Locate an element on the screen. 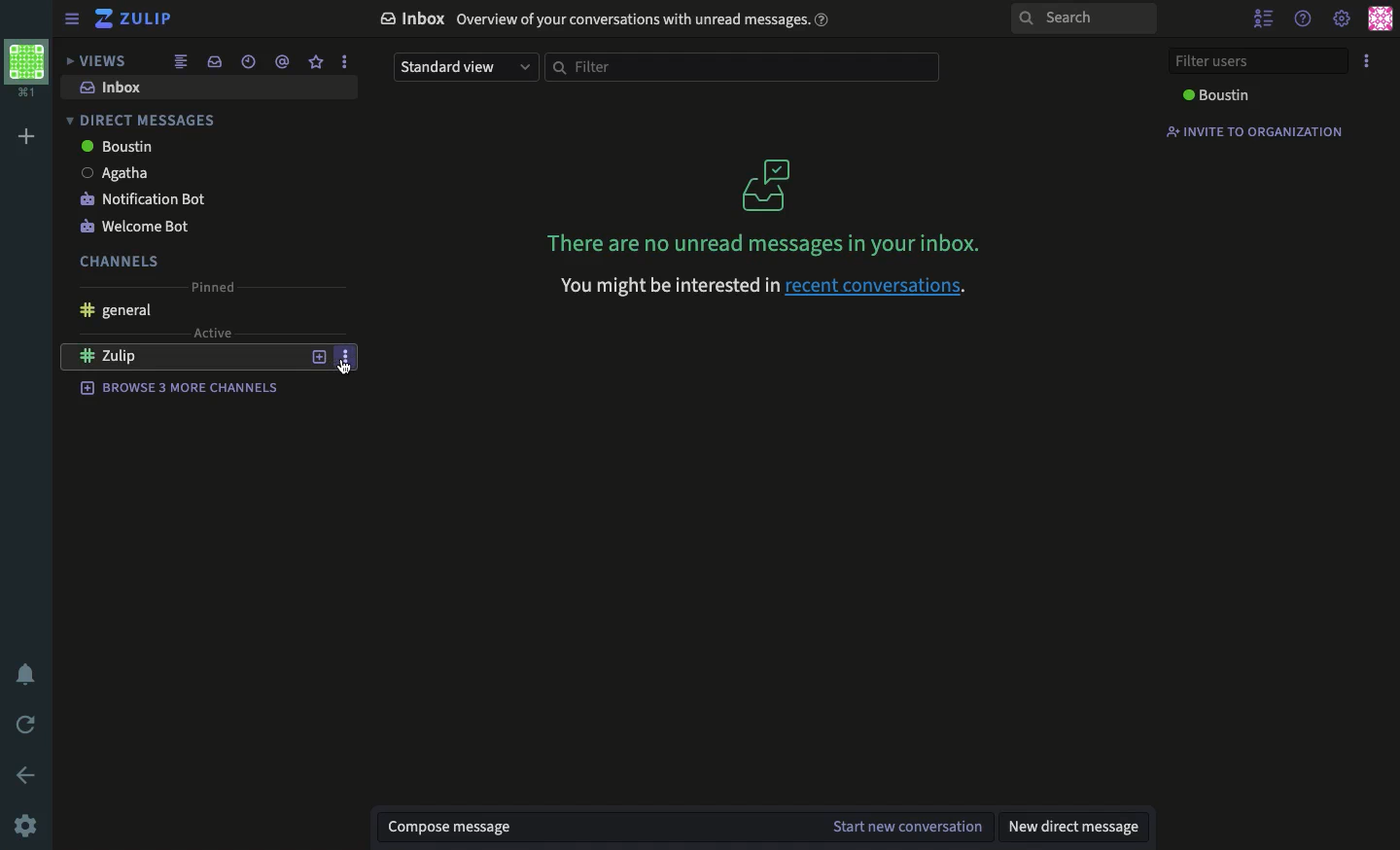 The image size is (1400, 850). settings is located at coordinates (1341, 19).